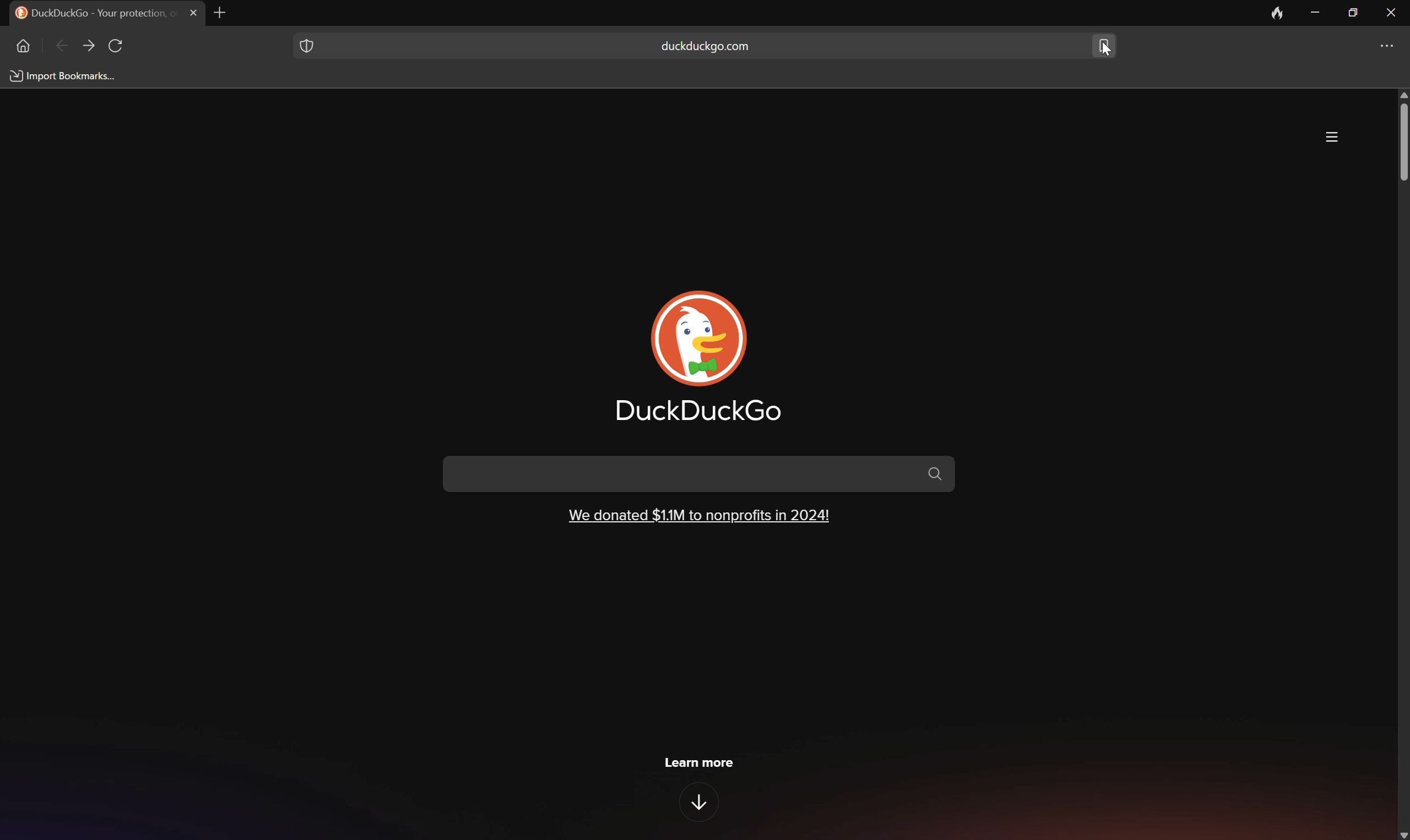  What do you see at coordinates (117, 46) in the screenshot?
I see `Reload` at bounding box center [117, 46].